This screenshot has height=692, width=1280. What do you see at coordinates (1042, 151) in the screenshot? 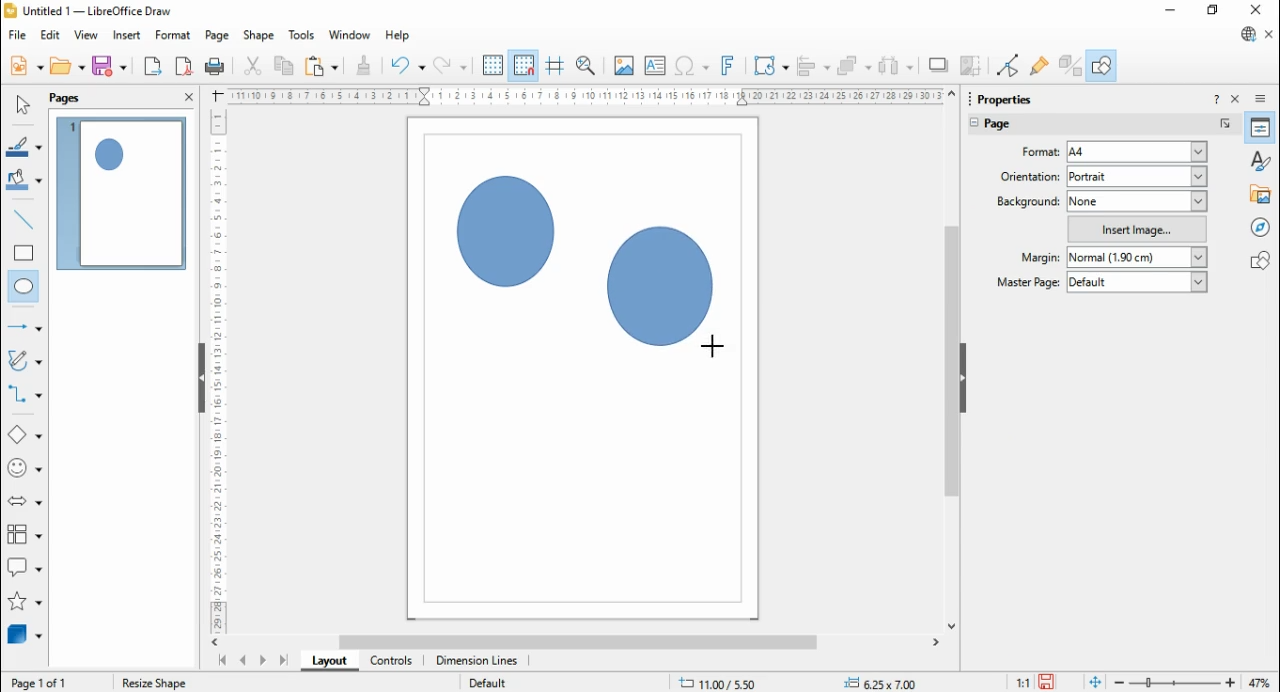
I see `page format` at bounding box center [1042, 151].